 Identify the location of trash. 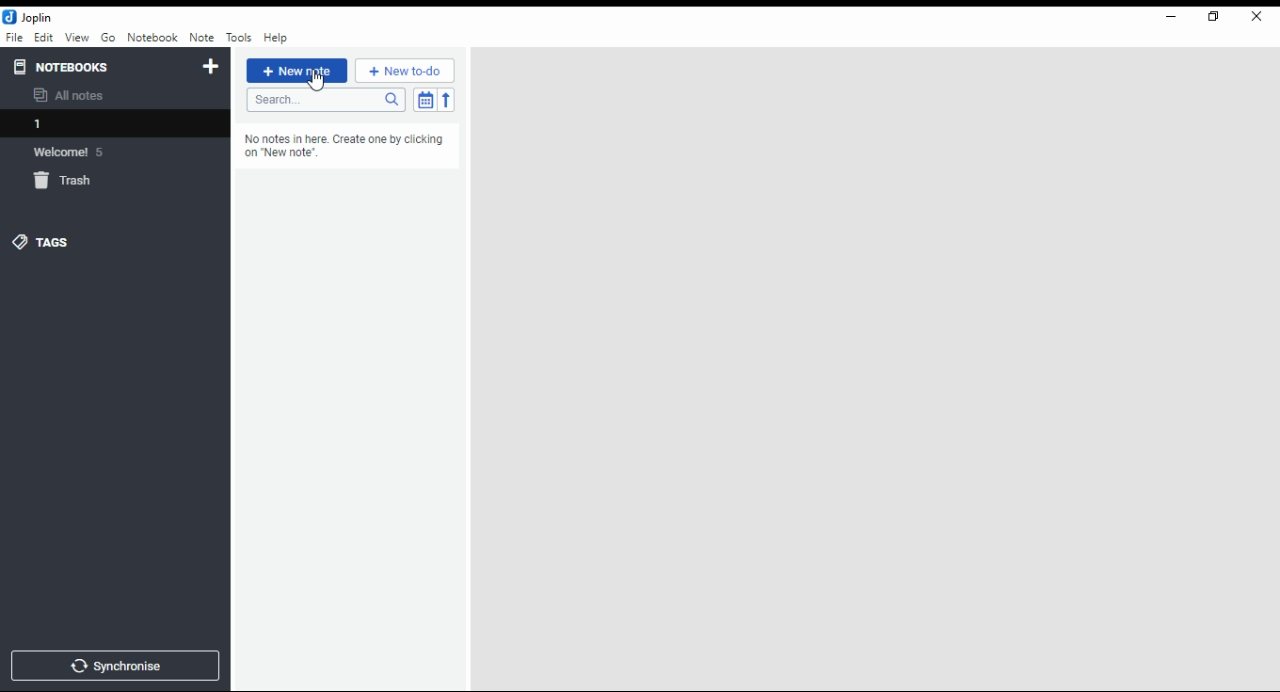
(66, 181).